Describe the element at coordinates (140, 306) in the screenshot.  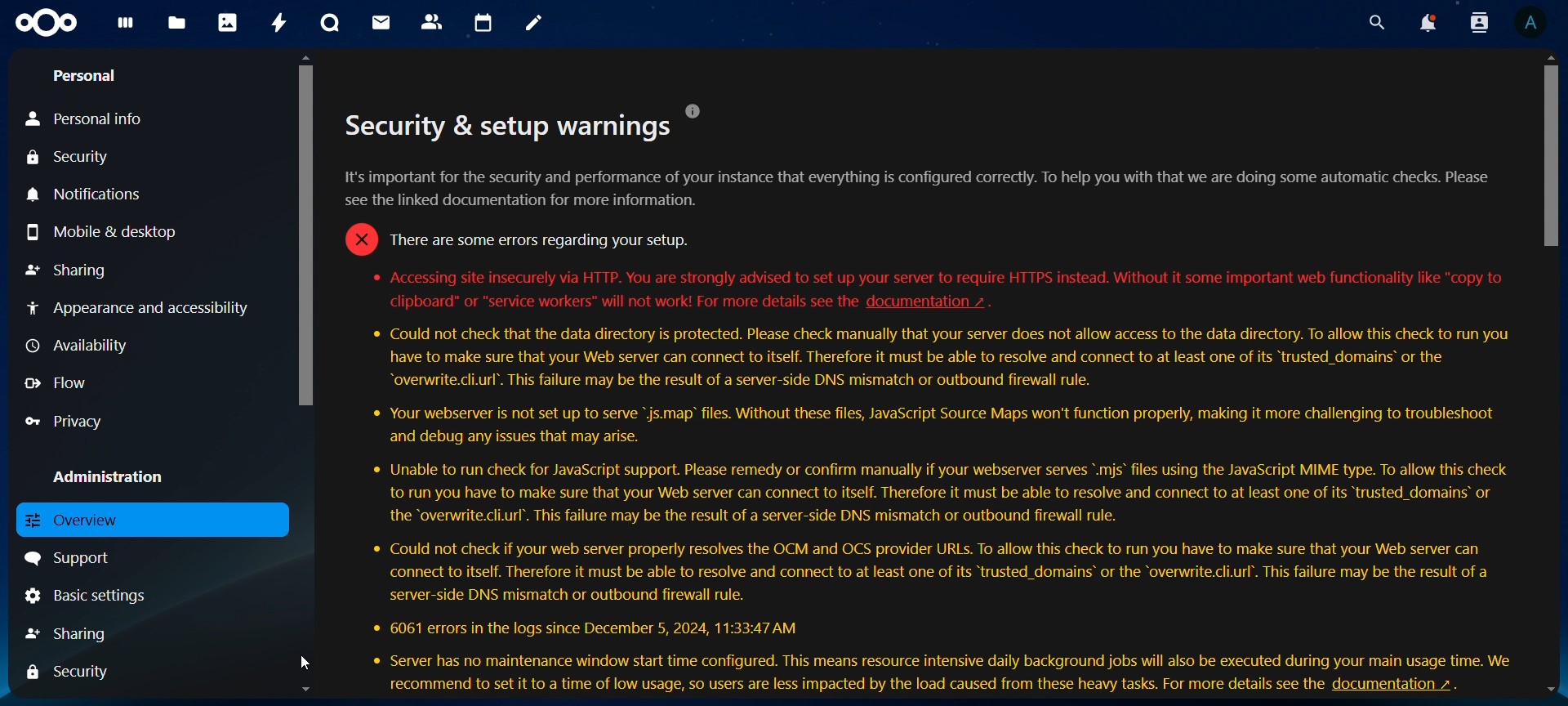
I see `appearance and accessibilty` at that location.